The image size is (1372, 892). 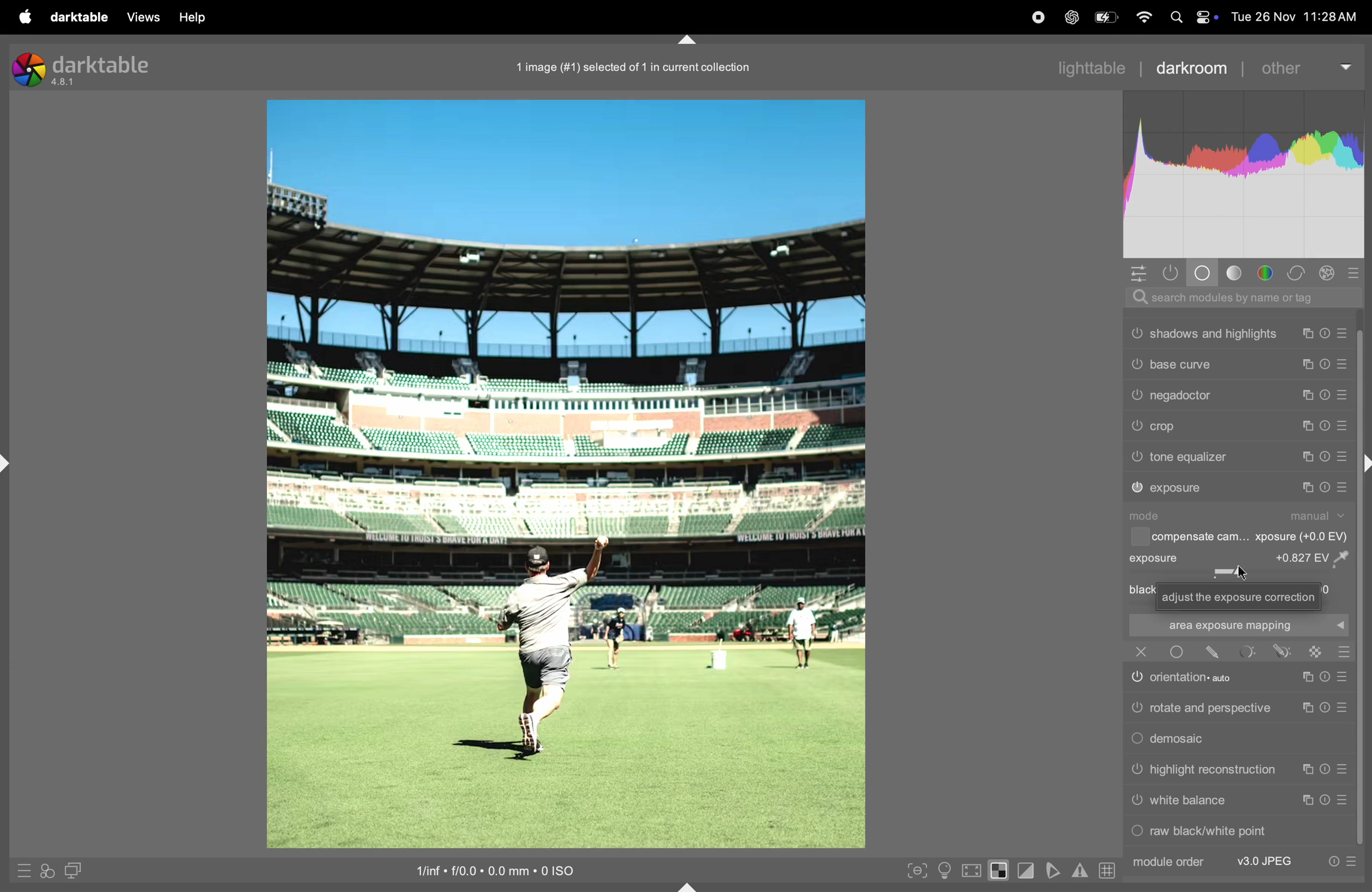 What do you see at coordinates (1317, 557) in the screenshot?
I see `Value` at bounding box center [1317, 557].